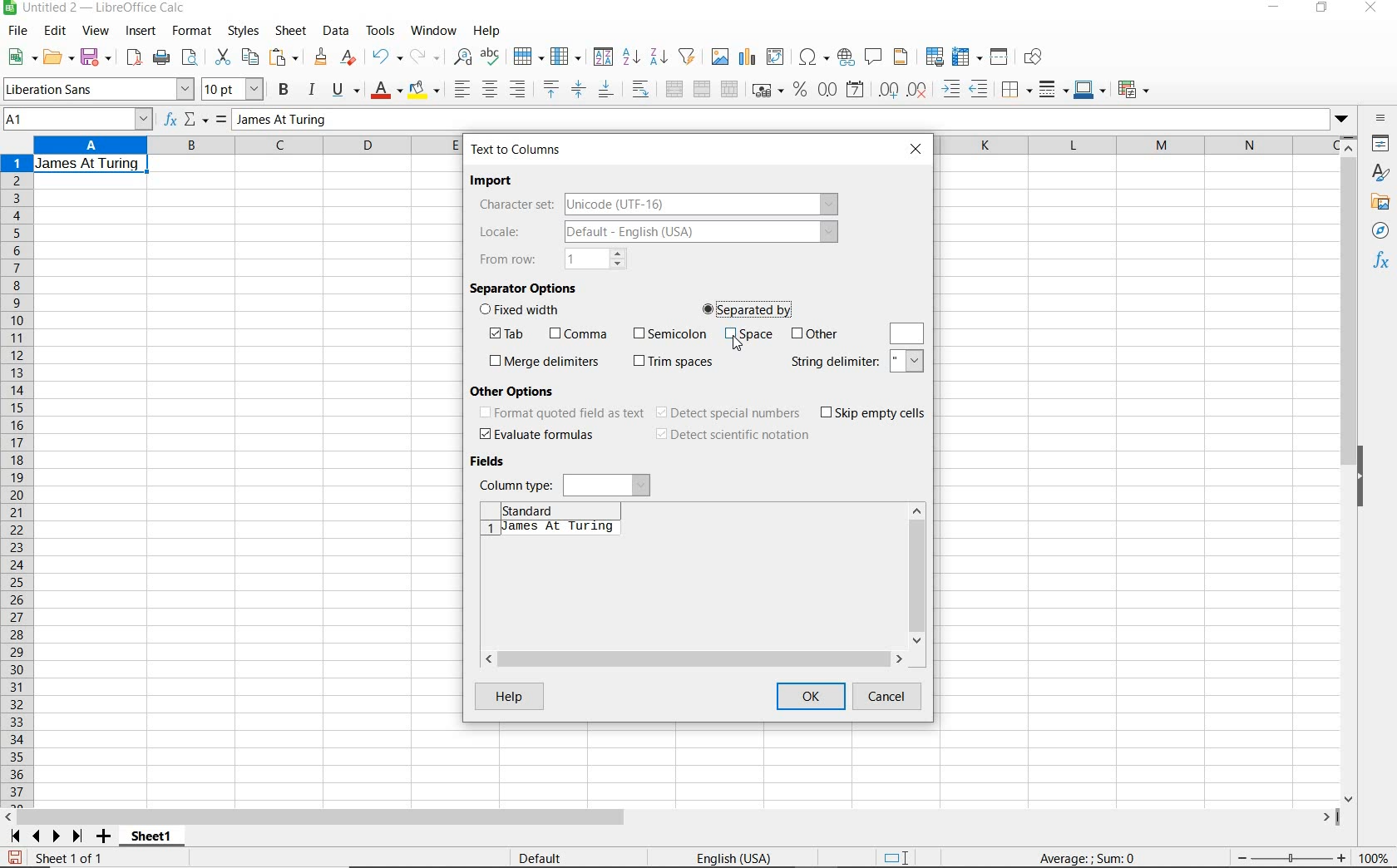 This screenshot has width=1397, height=868. Describe the element at coordinates (577, 334) in the screenshot. I see `comma` at that location.